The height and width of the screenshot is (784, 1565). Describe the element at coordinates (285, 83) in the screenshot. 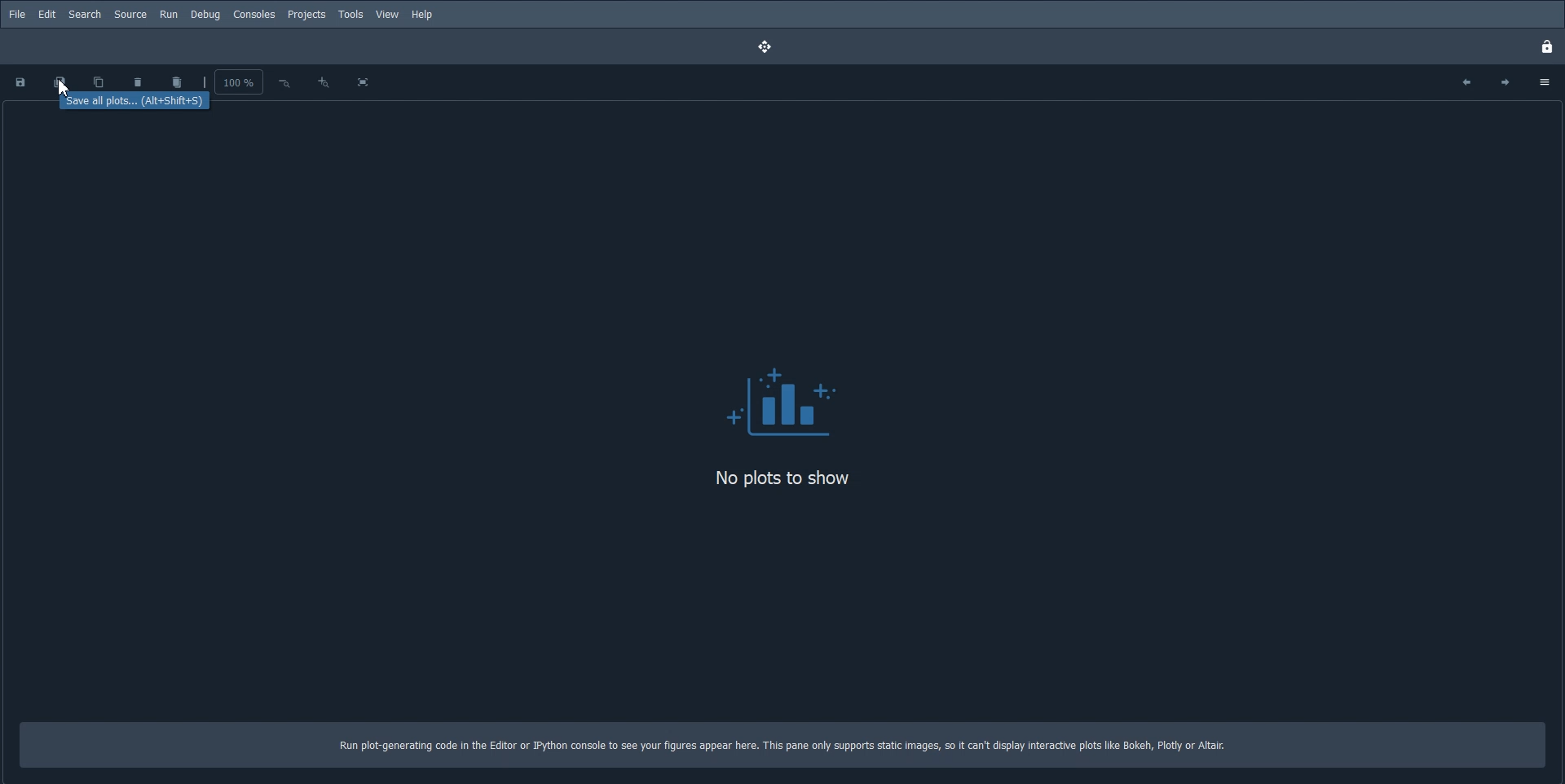

I see `Zoom out` at that location.